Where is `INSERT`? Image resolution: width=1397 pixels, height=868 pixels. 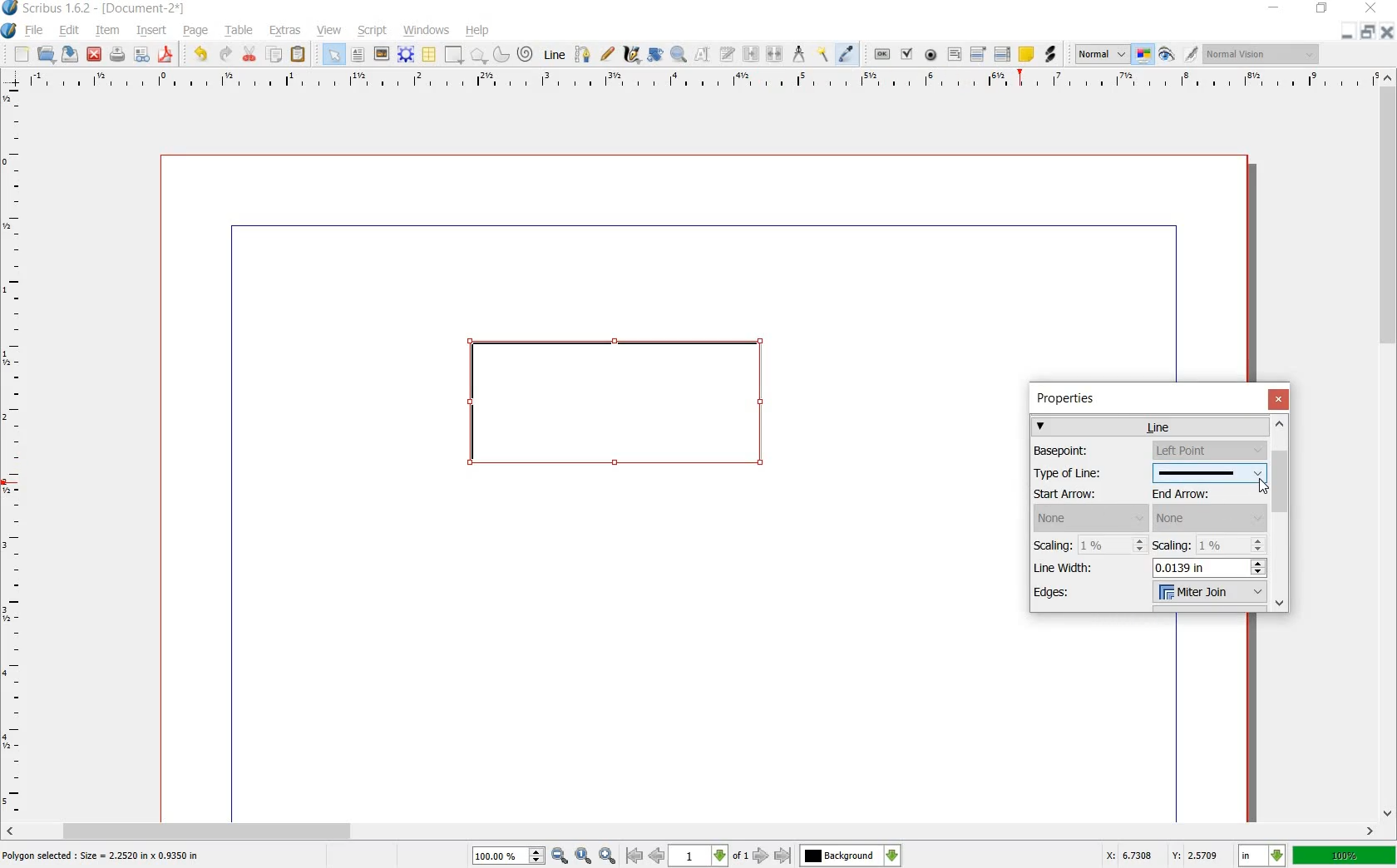
INSERT is located at coordinates (151, 31).